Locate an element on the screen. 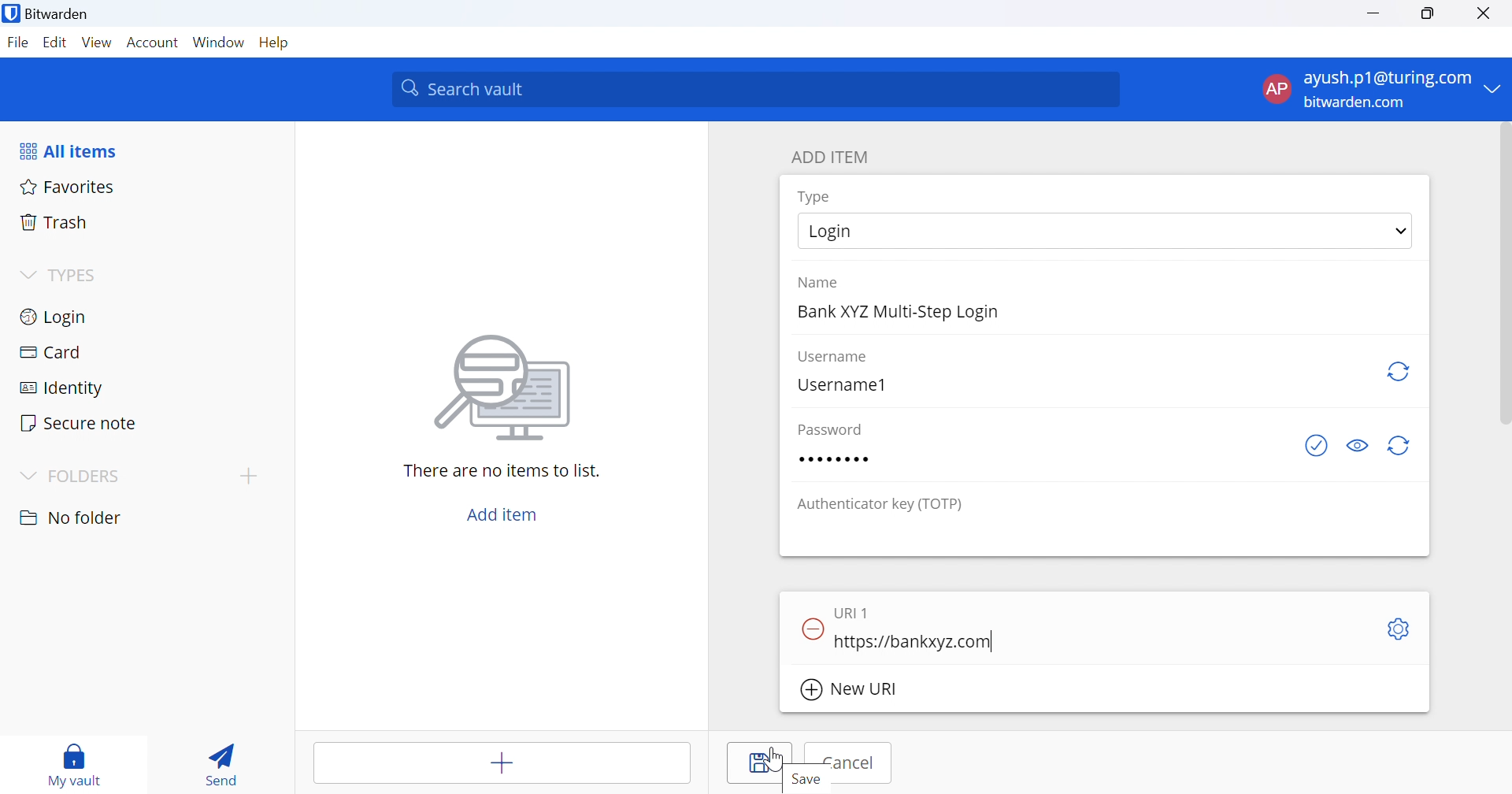  Drop Down is located at coordinates (1398, 232).